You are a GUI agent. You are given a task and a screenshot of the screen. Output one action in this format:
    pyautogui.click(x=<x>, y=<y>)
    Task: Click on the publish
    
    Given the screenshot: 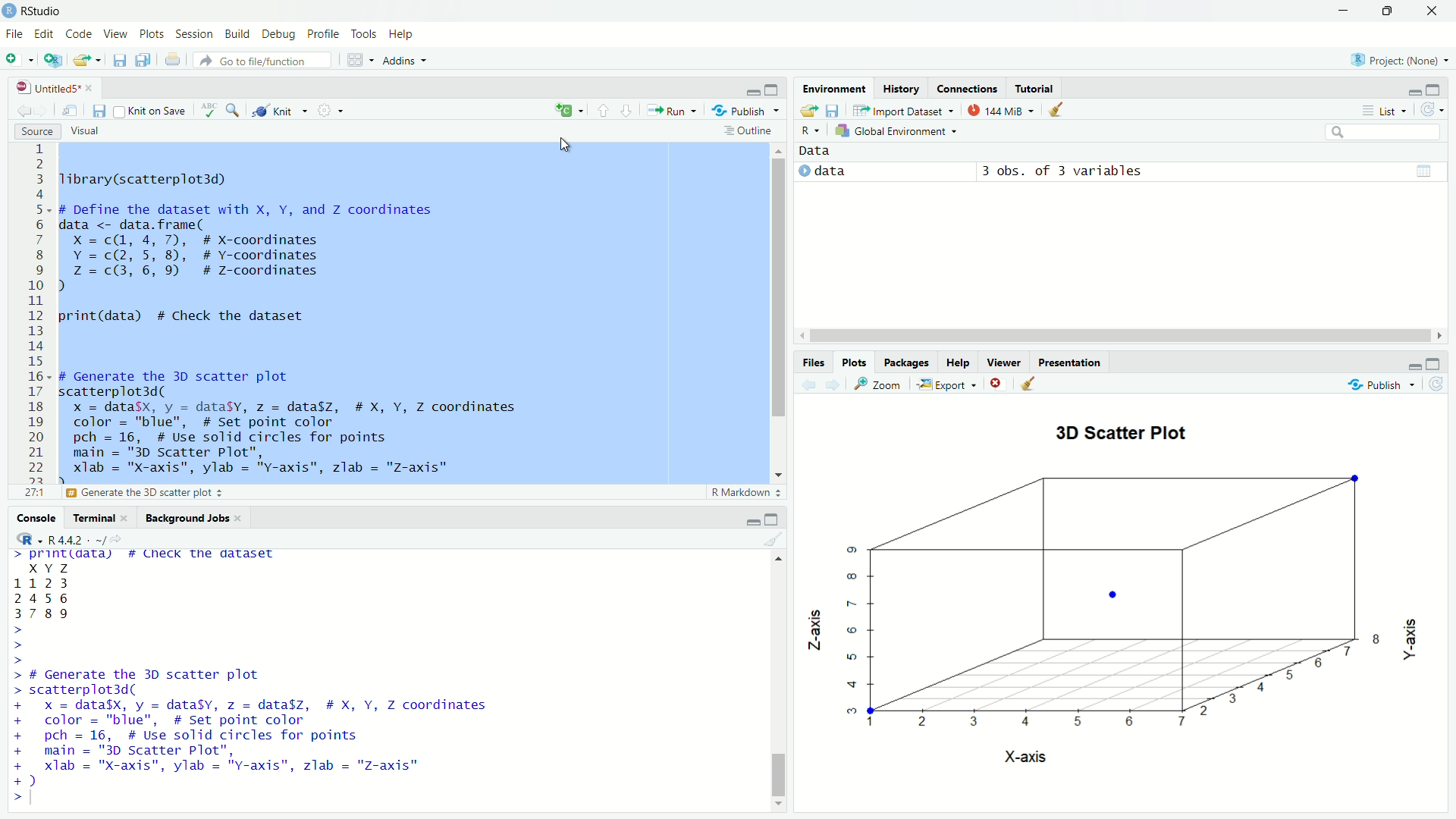 What is the action you would take?
    pyautogui.click(x=1383, y=386)
    